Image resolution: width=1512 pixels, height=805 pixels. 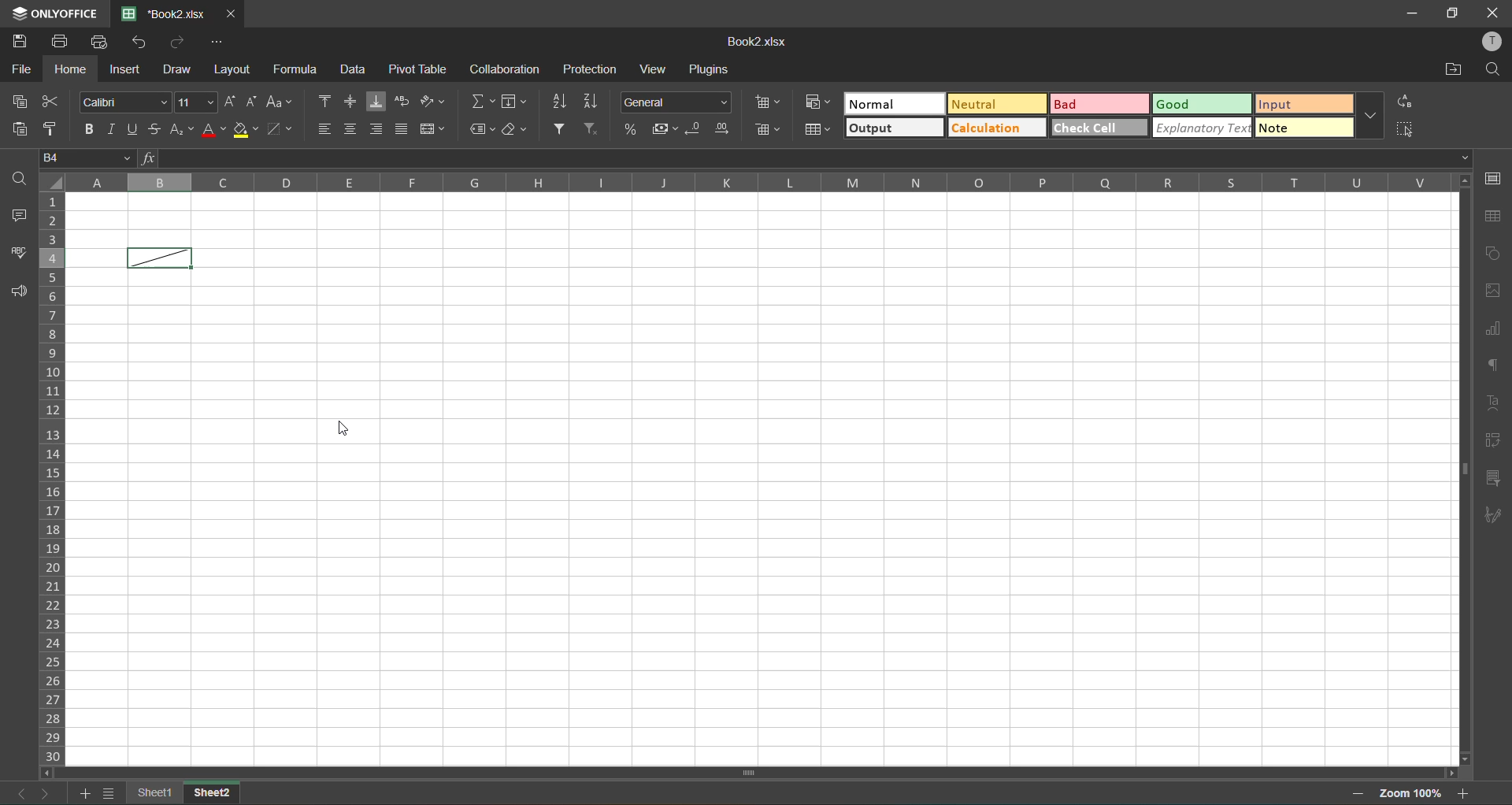 What do you see at coordinates (1466, 469) in the screenshot?
I see `scrollbar` at bounding box center [1466, 469].